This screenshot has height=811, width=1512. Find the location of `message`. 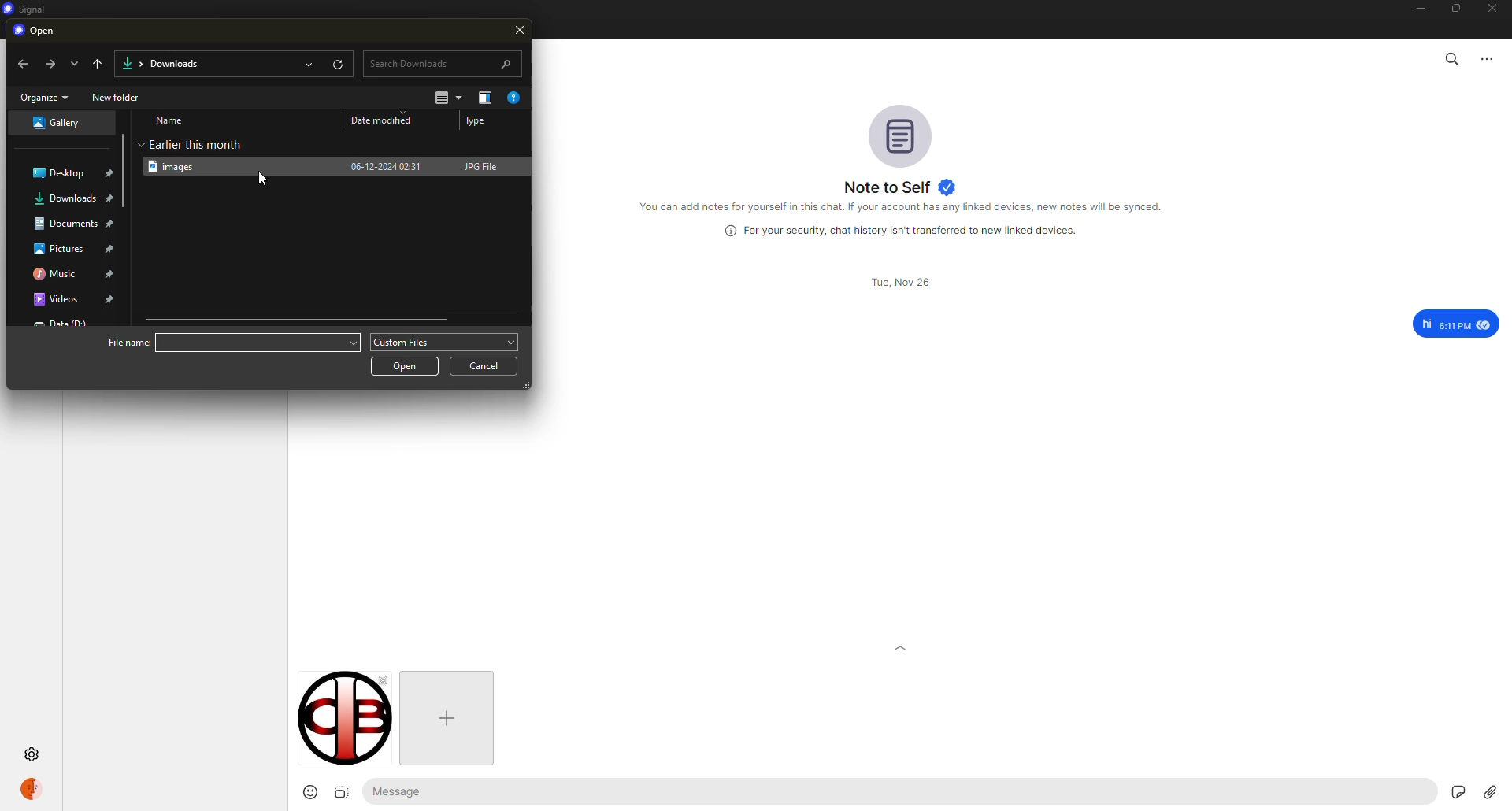

message is located at coordinates (1455, 324).